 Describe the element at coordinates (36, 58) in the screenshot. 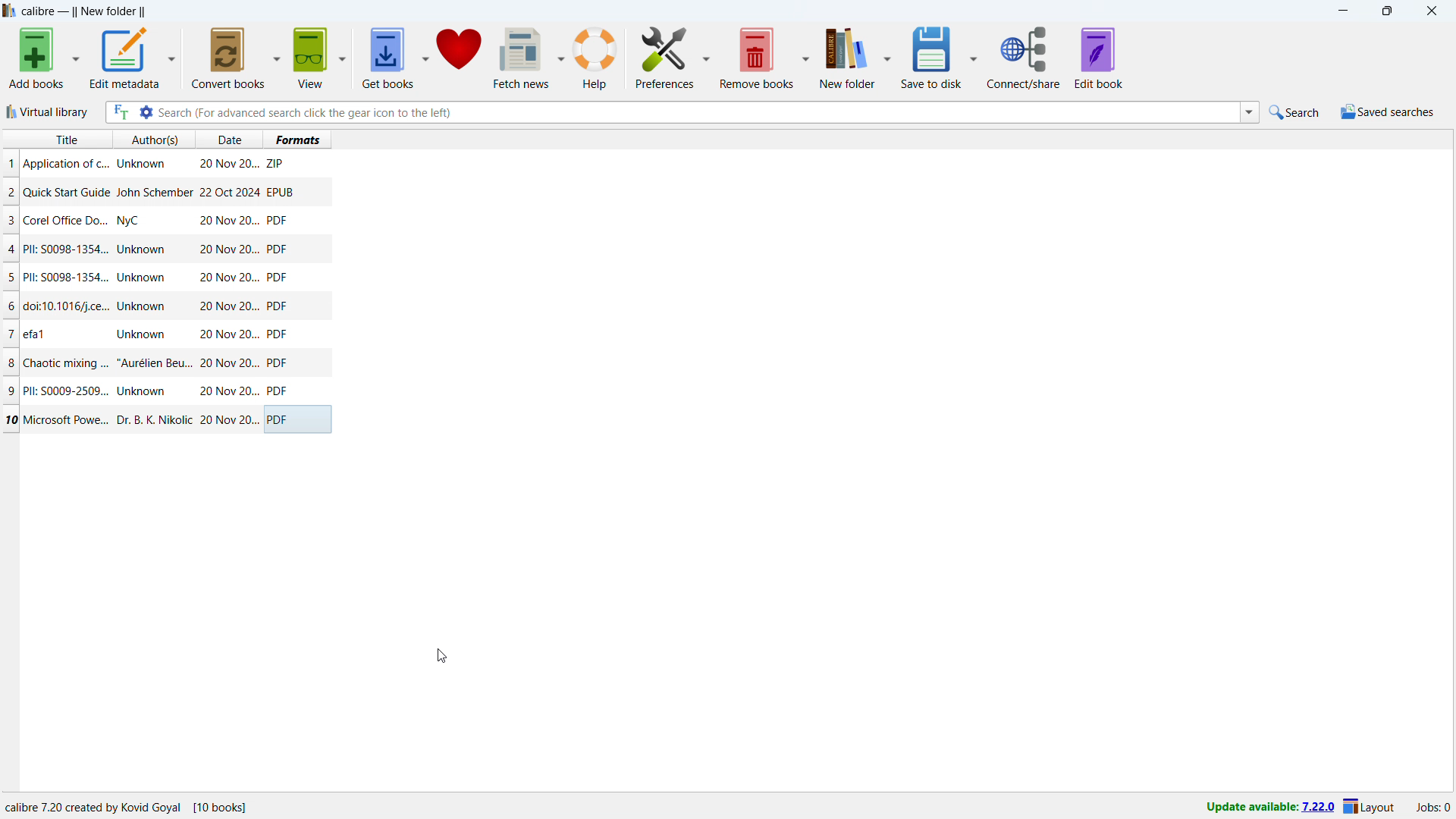

I see `add books` at that location.